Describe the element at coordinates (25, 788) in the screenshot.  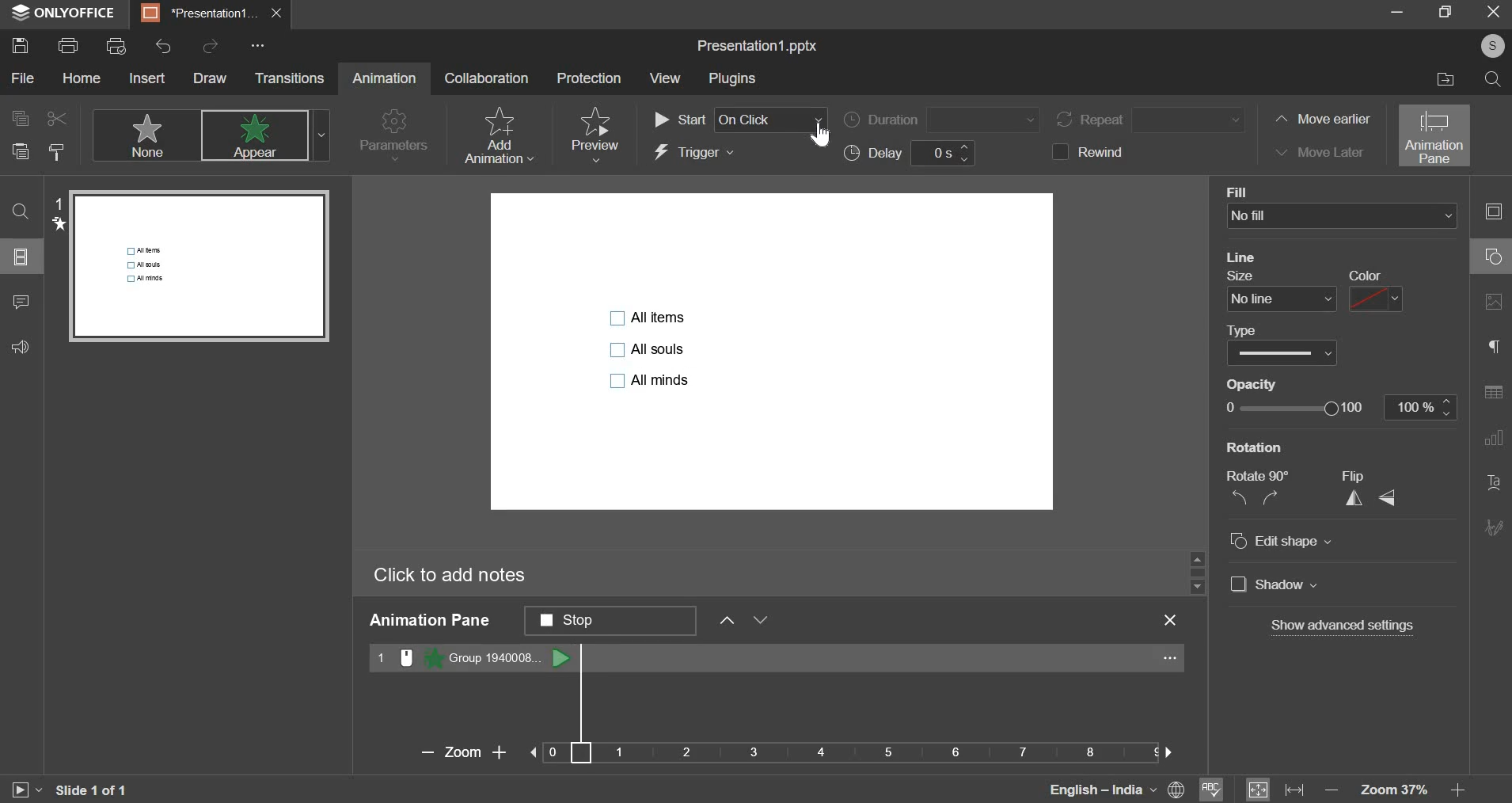
I see `slideshow` at that location.